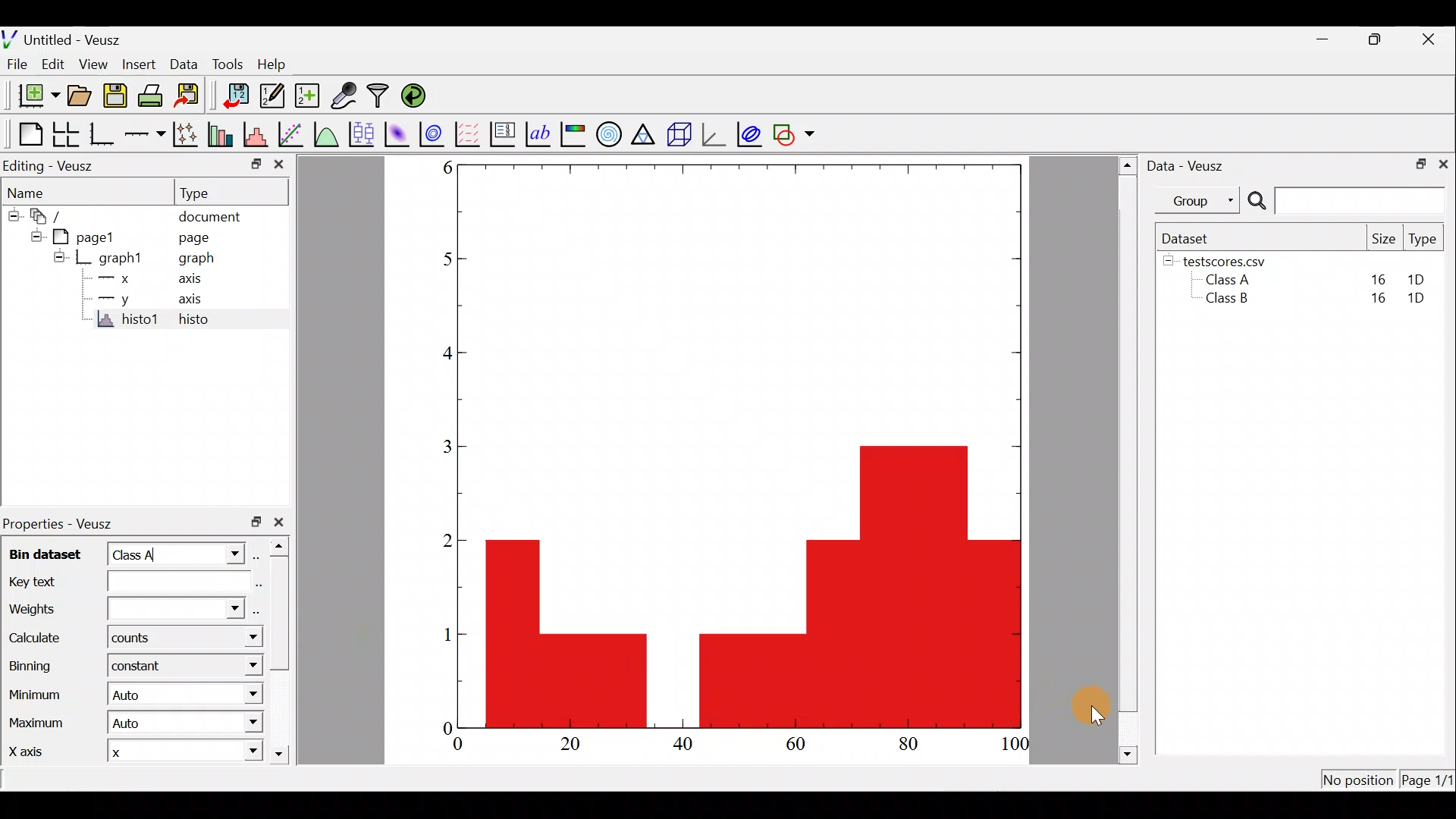 Image resolution: width=1456 pixels, height=819 pixels. I want to click on 4, so click(440, 356).